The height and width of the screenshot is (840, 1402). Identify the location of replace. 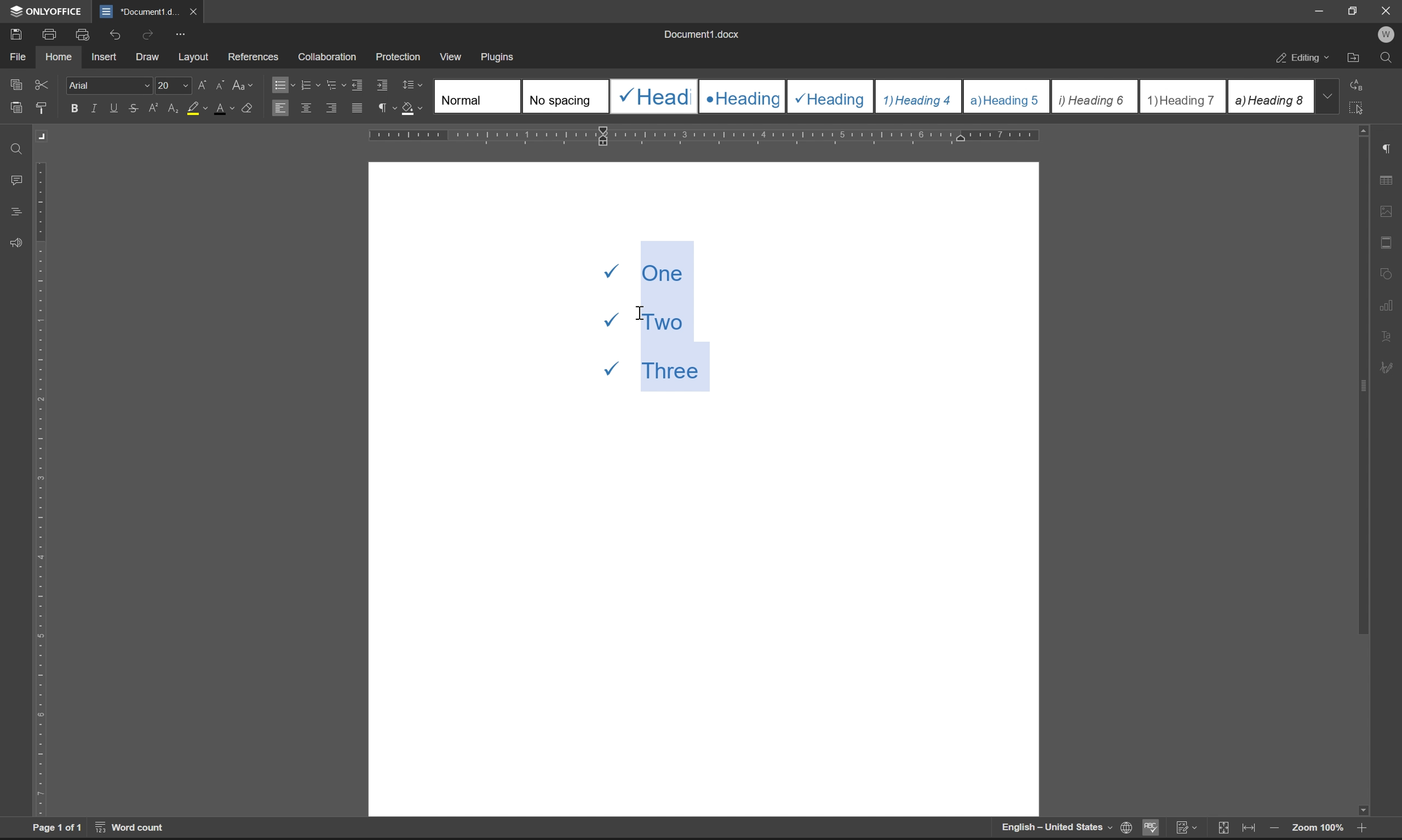
(1360, 84).